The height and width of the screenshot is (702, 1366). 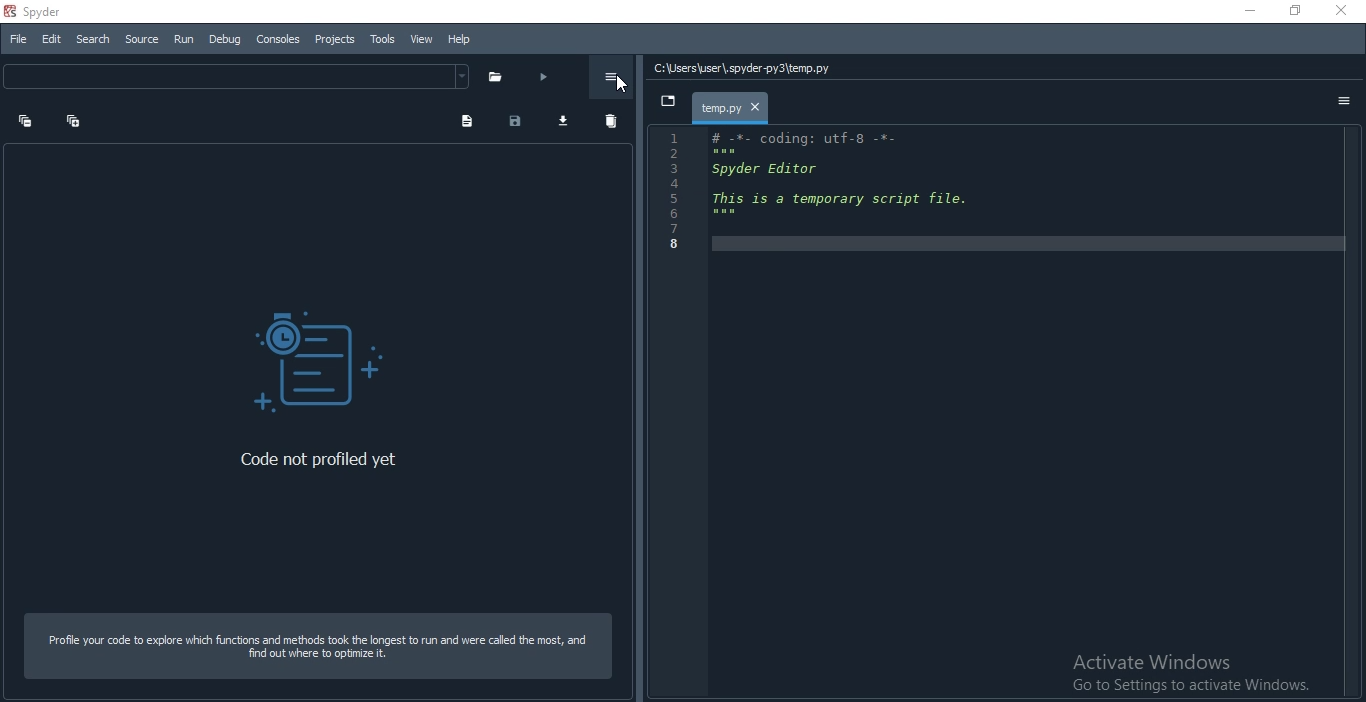 What do you see at coordinates (50, 38) in the screenshot?
I see `Edit` at bounding box center [50, 38].